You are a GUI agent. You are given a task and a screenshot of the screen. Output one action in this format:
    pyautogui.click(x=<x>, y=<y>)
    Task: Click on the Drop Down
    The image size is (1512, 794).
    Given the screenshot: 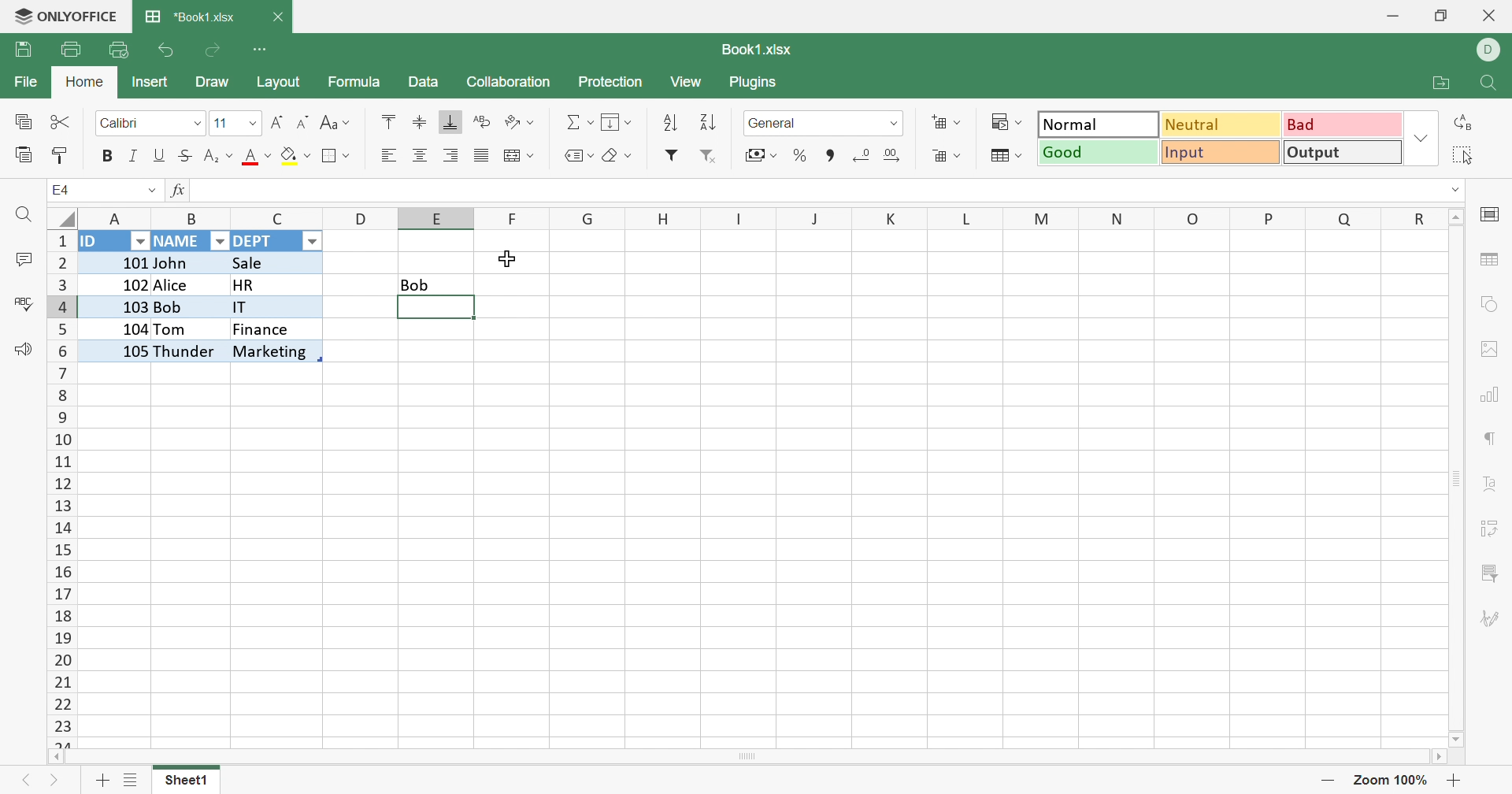 What is the action you would take?
    pyautogui.click(x=150, y=193)
    